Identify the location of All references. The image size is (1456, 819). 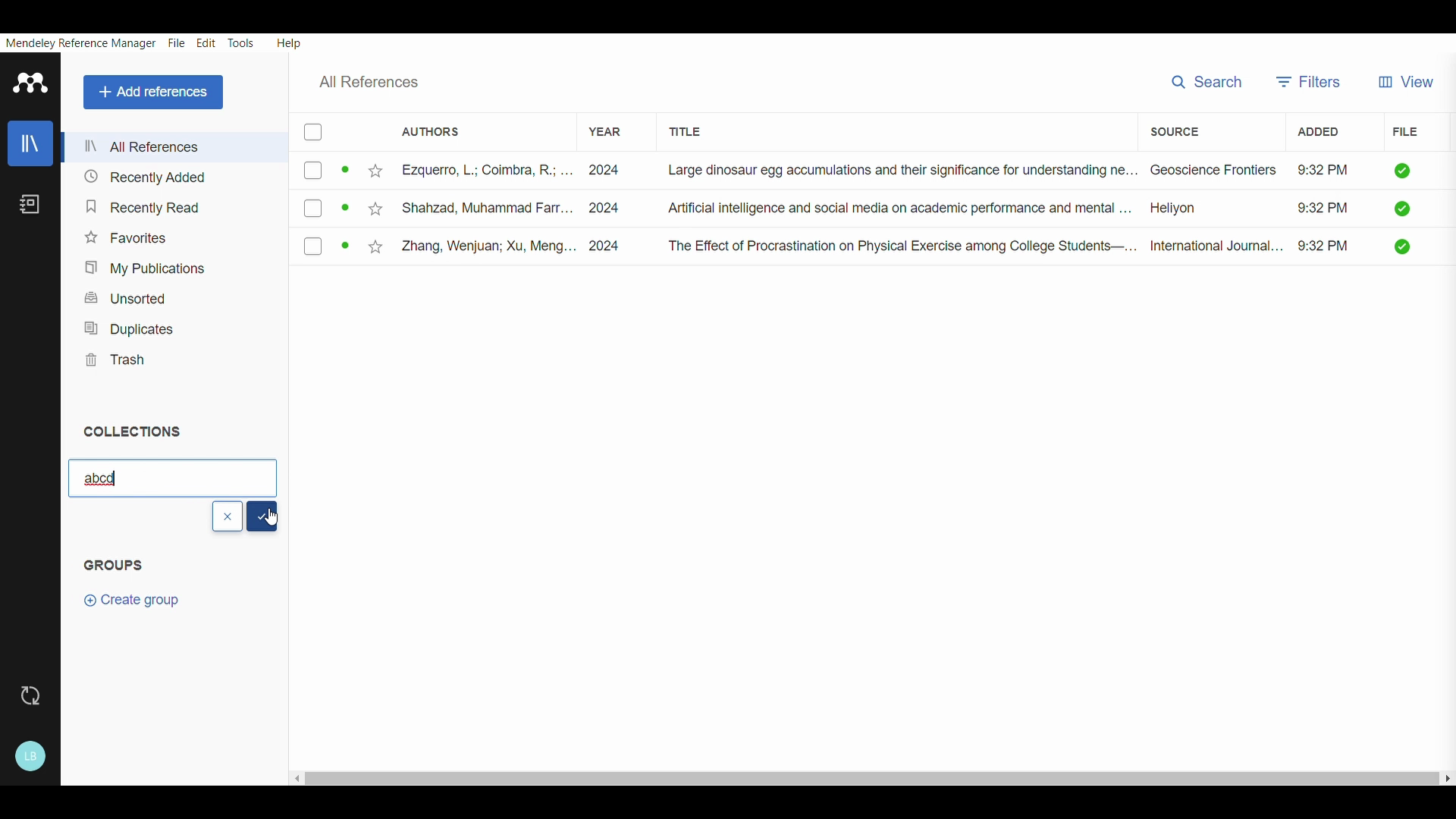
(380, 81).